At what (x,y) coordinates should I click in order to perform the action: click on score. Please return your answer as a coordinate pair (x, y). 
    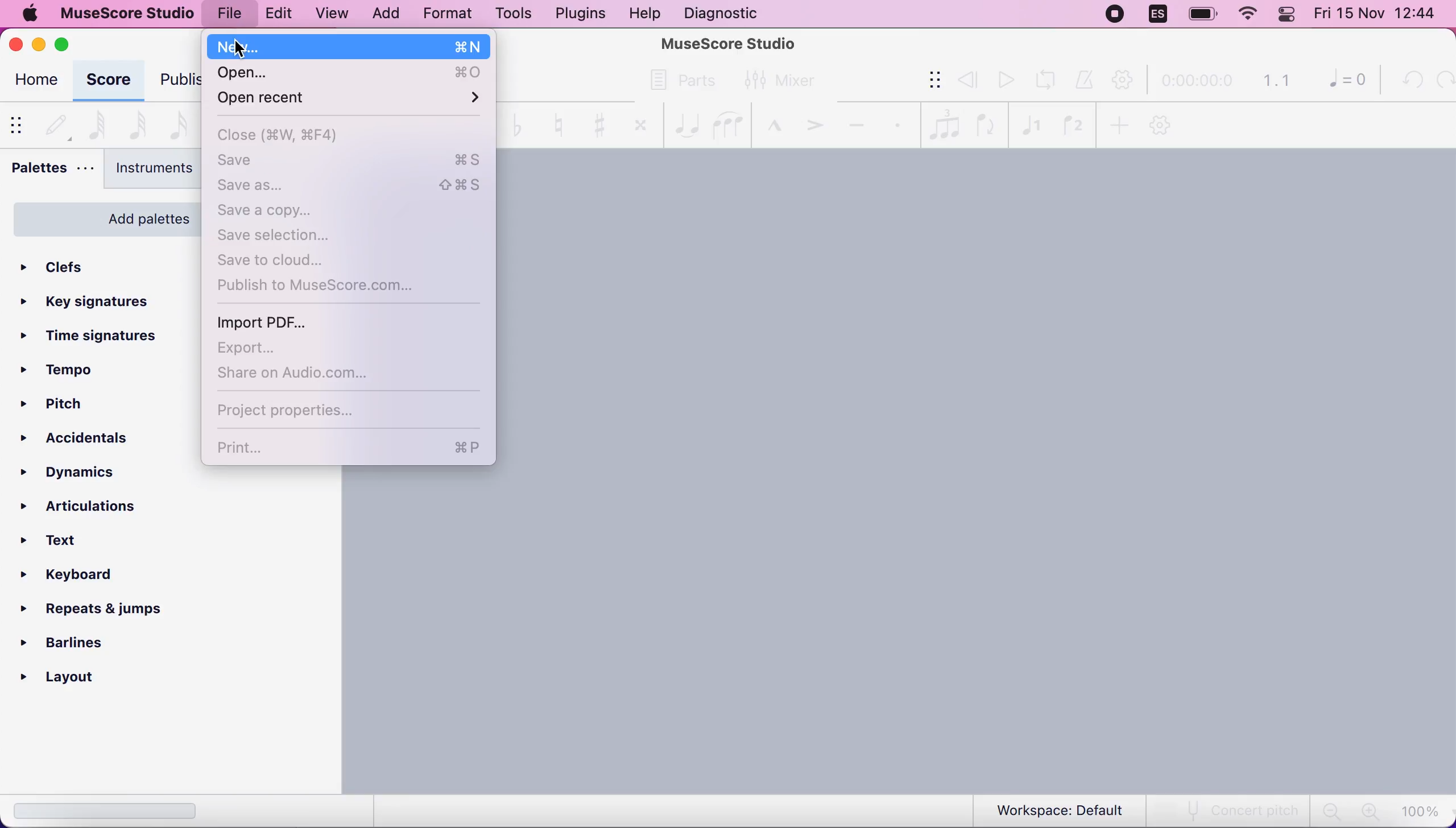
    Looking at the image, I should click on (108, 81).